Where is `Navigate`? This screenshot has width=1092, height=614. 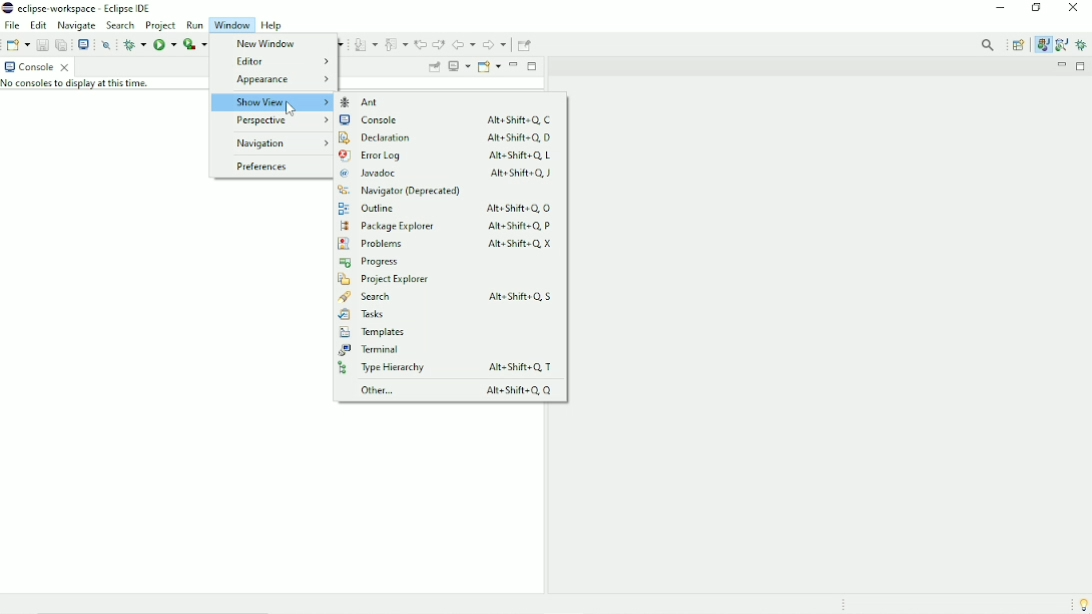 Navigate is located at coordinates (78, 25).